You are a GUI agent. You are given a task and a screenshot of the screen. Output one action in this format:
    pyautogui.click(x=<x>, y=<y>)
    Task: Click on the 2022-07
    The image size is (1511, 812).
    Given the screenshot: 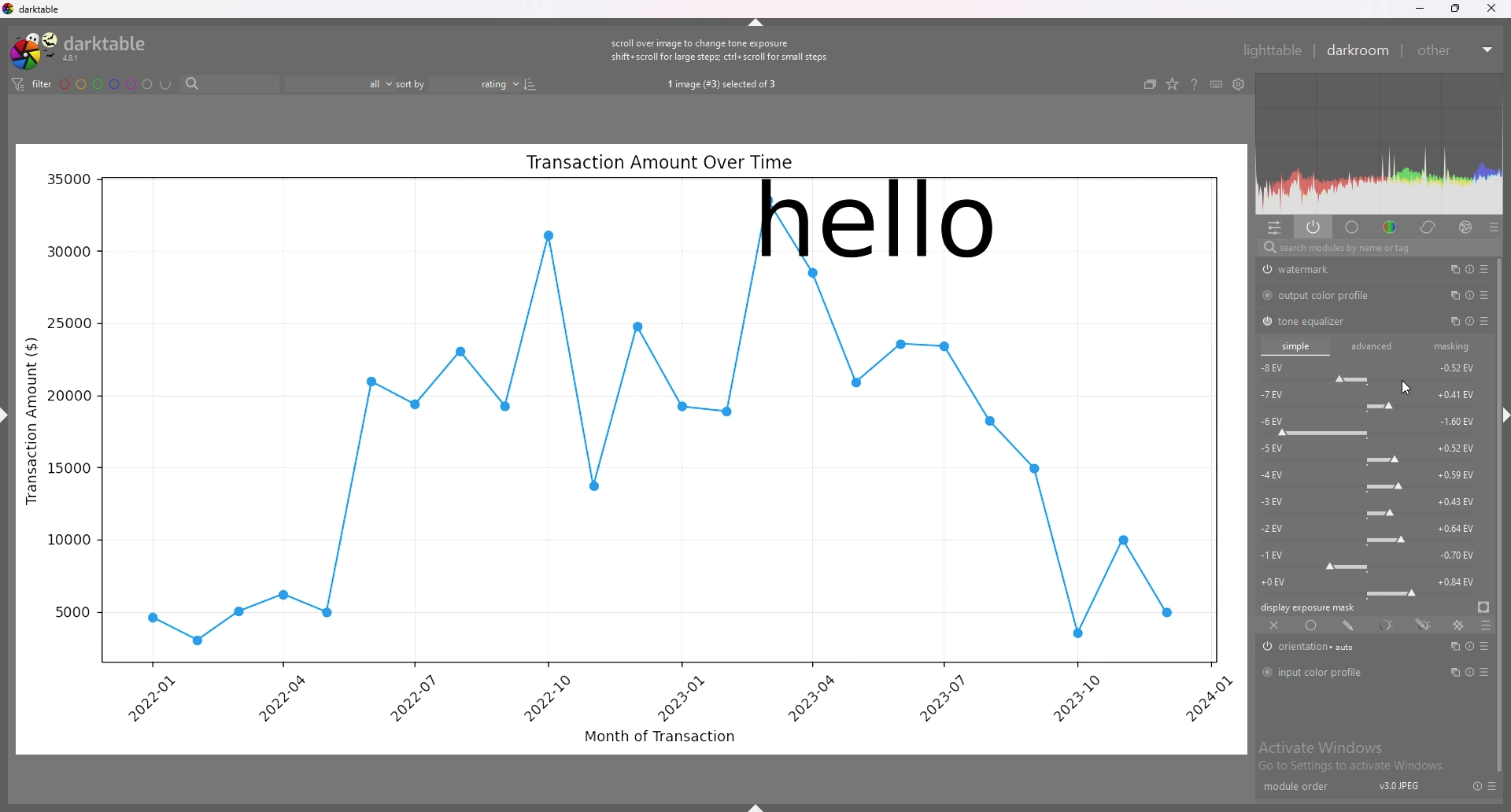 What is the action you would take?
    pyautogui.click(x=410, y=697)
    